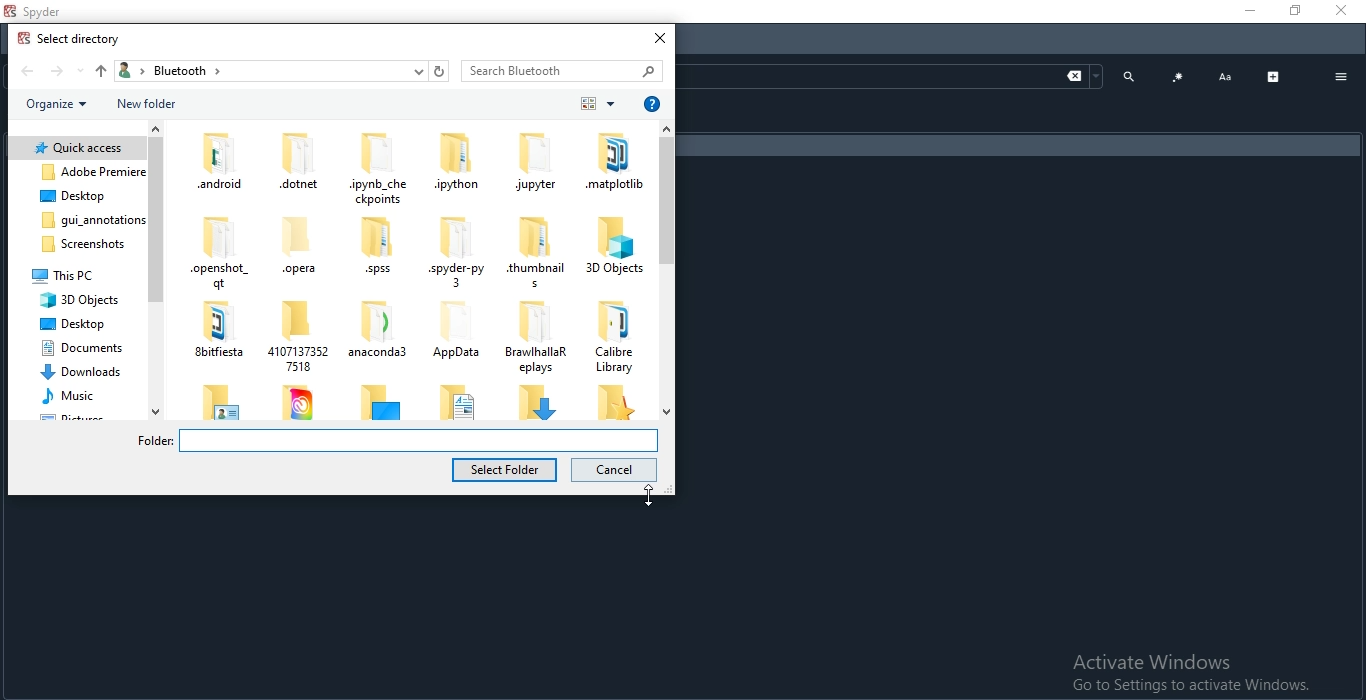 This screenshot has height=700, width=1366. I want to click on folder, so click(462, 401).